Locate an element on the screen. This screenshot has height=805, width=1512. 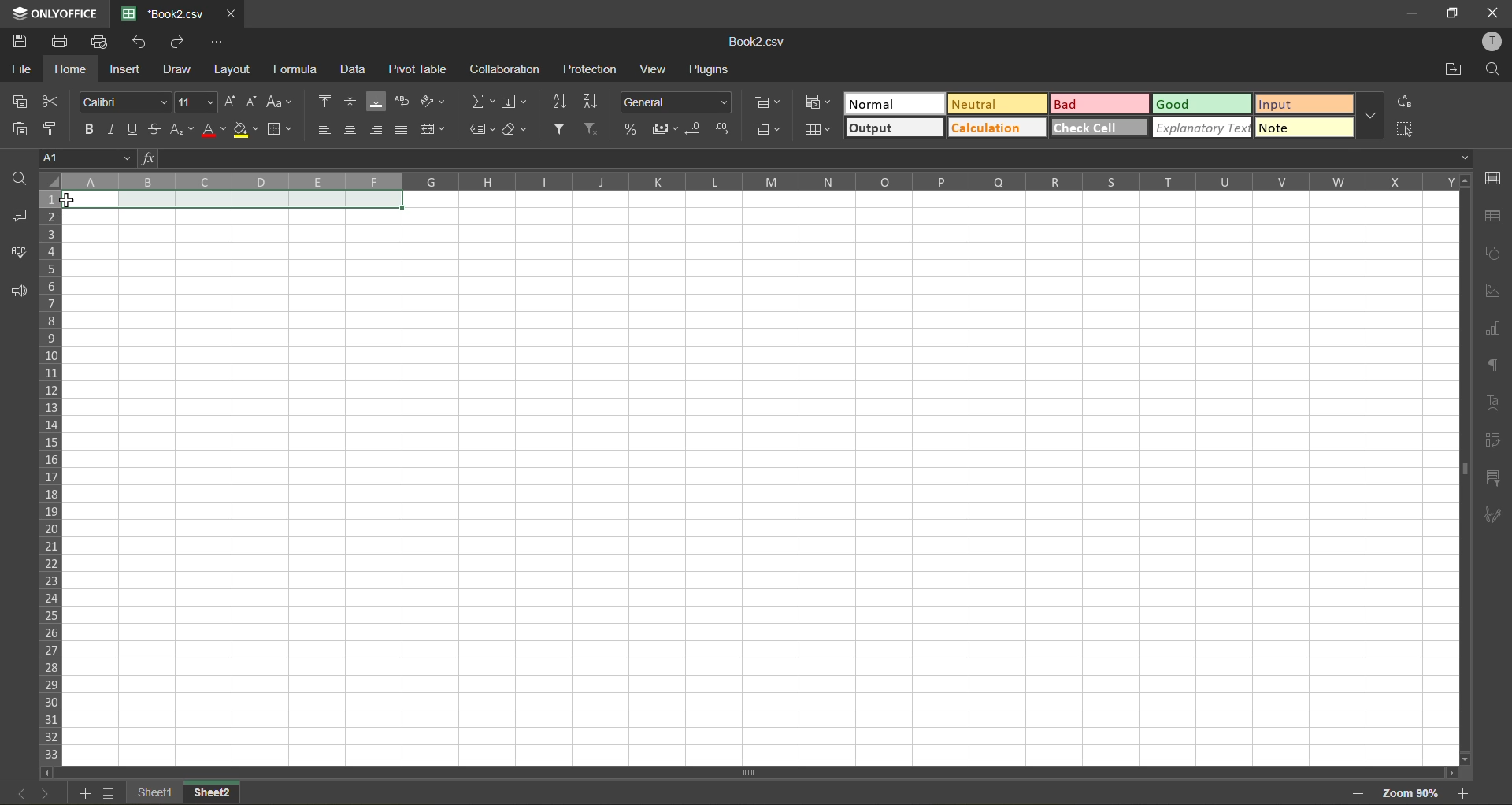
explanatory text is located at coordinates (1204, 128).